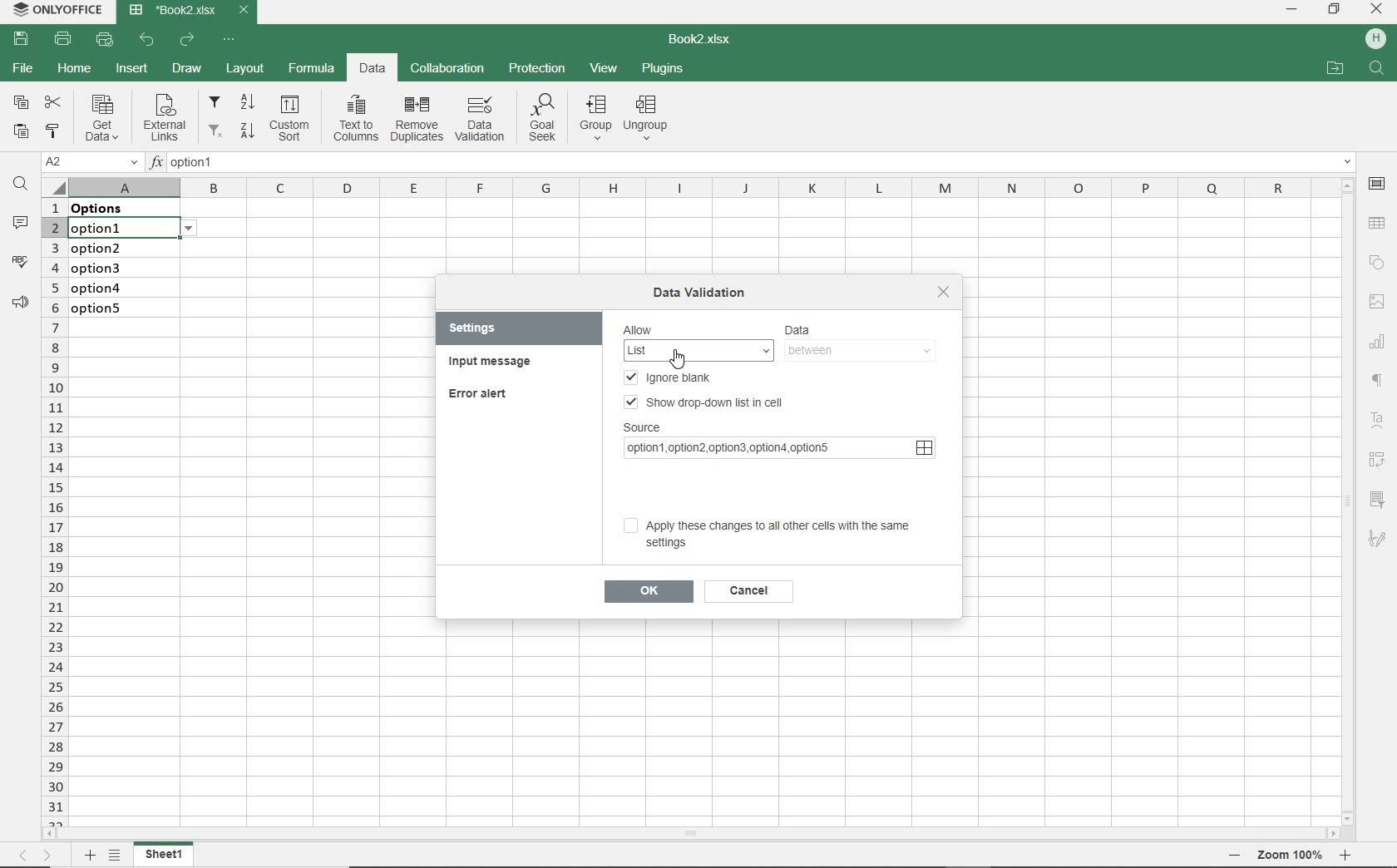  Describe the element at coordinates (1230, 856) in the screenshot. I see `Zoom out` at that location.